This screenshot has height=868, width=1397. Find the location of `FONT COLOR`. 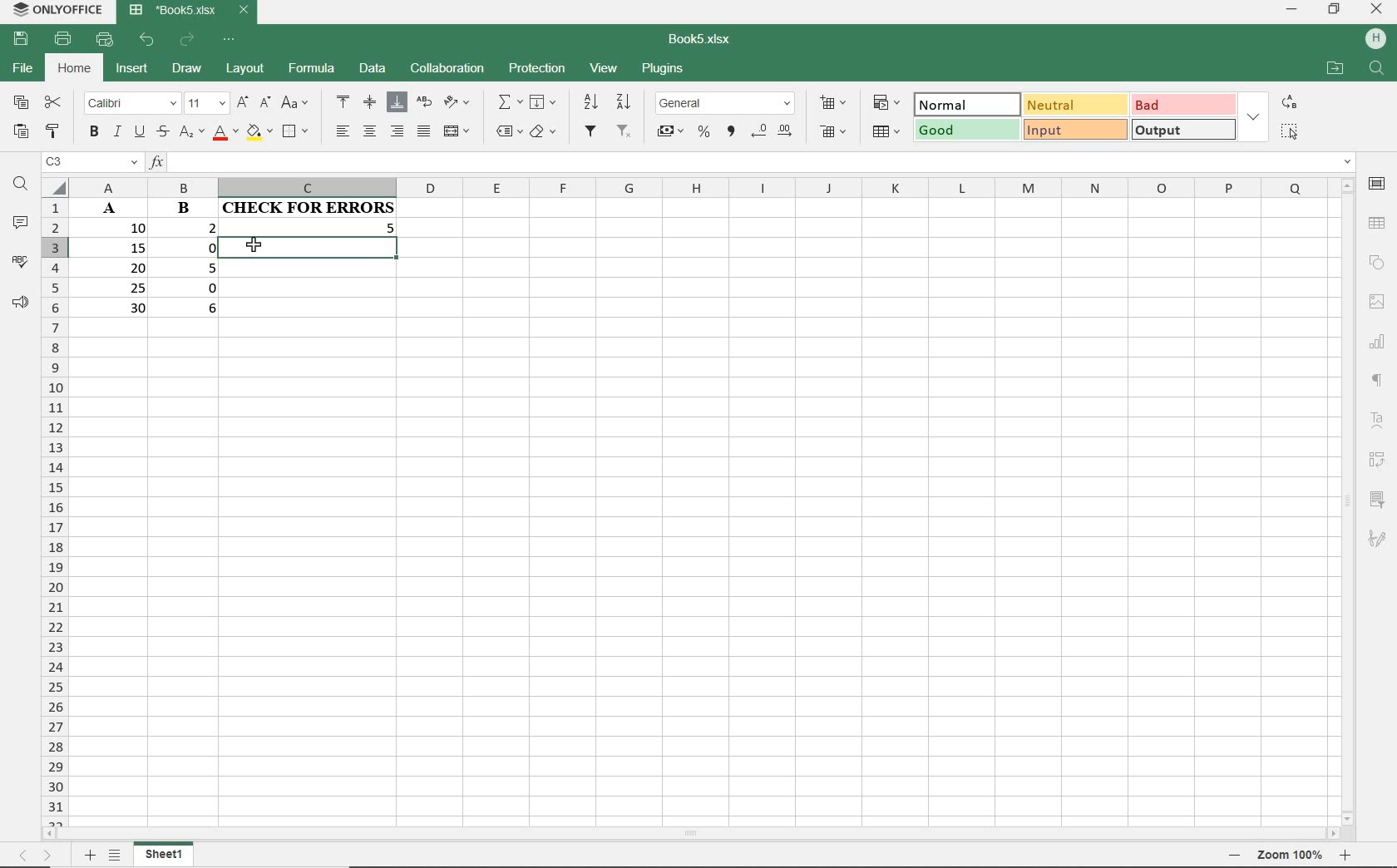

FONT COLOR is located at coordinates (224, 134).